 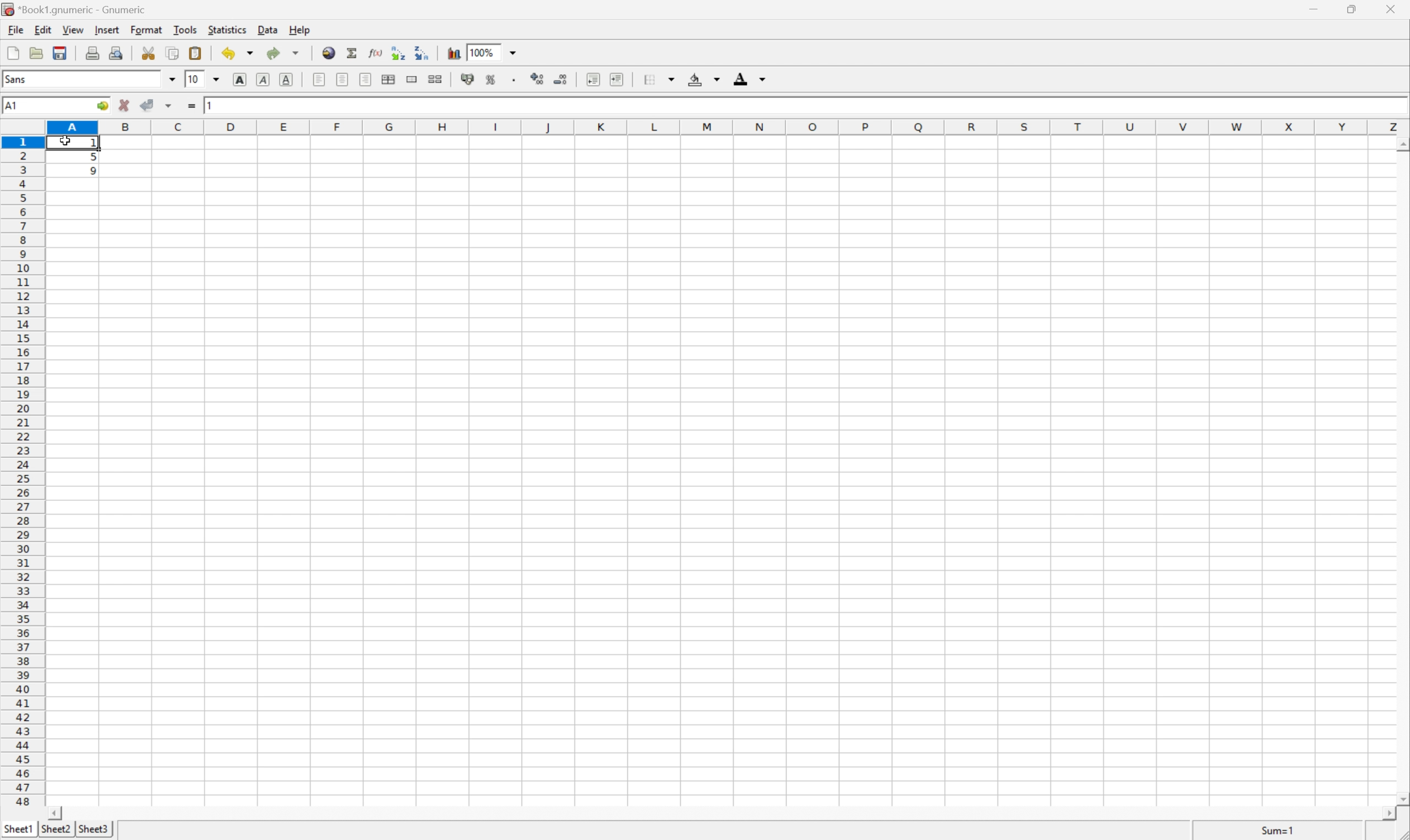 I want to click on tools, so click(x=186, y=29).